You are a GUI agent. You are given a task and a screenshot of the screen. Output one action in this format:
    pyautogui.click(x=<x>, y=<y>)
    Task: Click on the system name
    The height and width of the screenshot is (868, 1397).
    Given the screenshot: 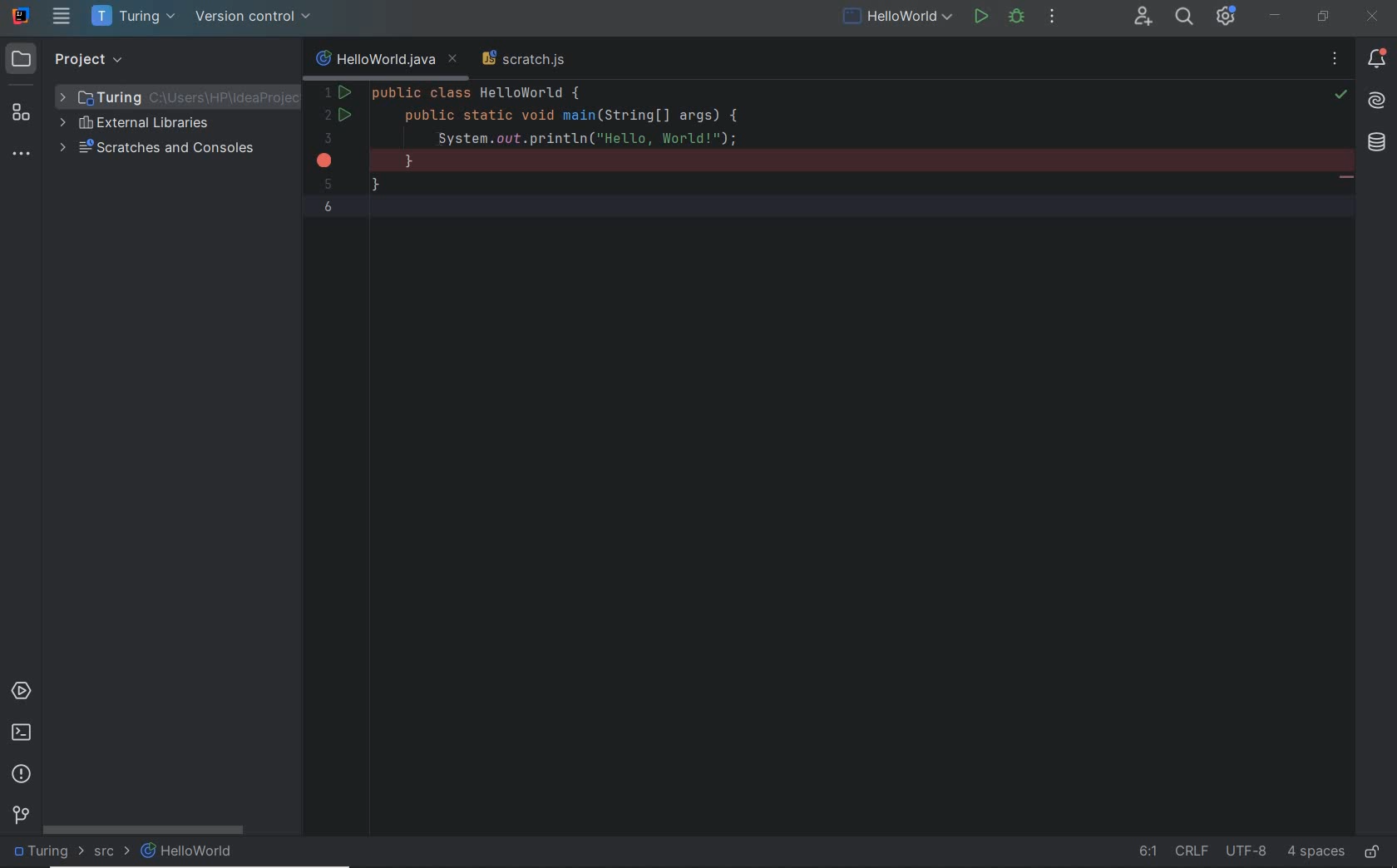 What is the action you would take?
    pyautogui.click(x=21, y=17)
    